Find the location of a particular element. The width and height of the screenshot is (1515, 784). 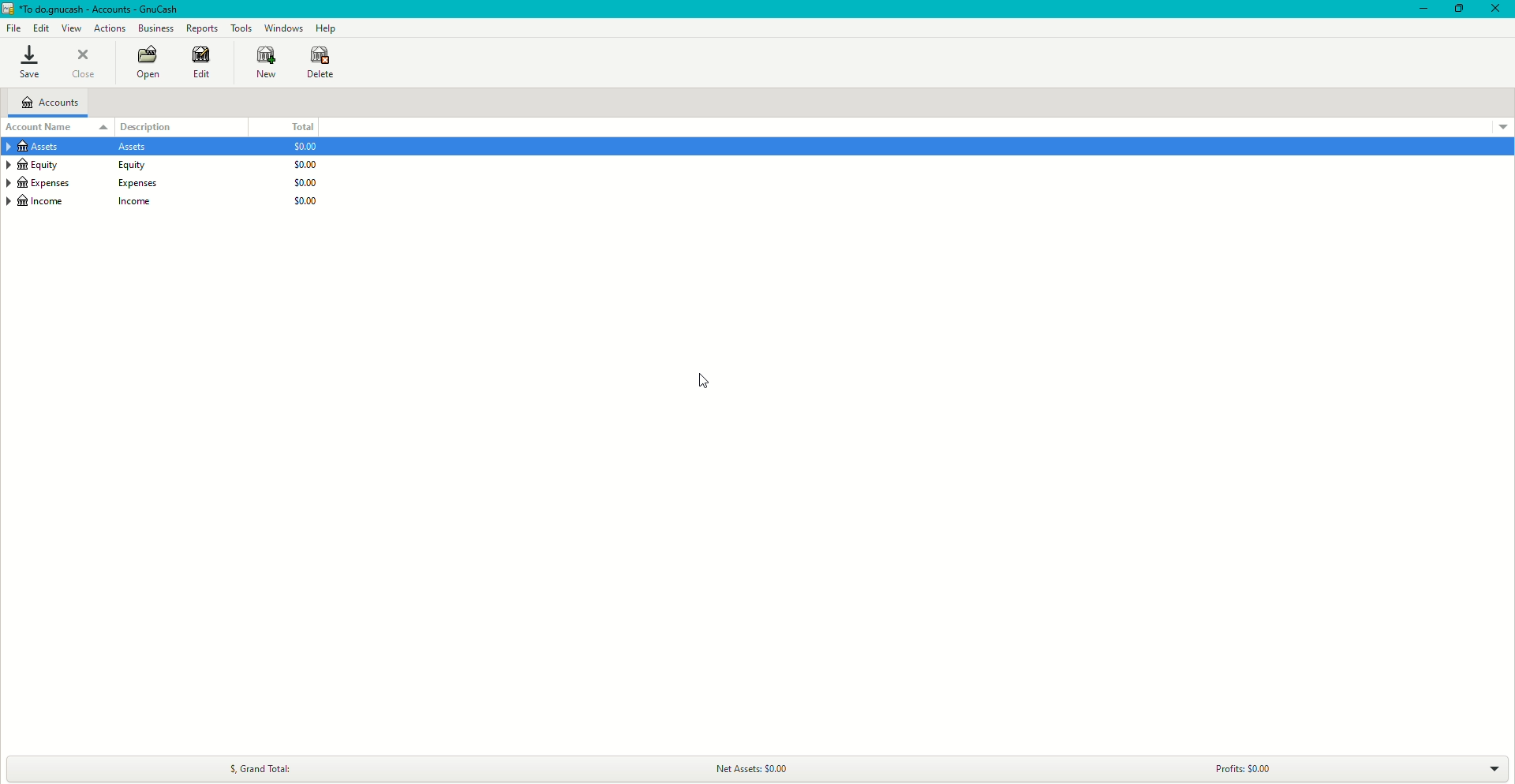

Delete is located at coordinates (320, 62).